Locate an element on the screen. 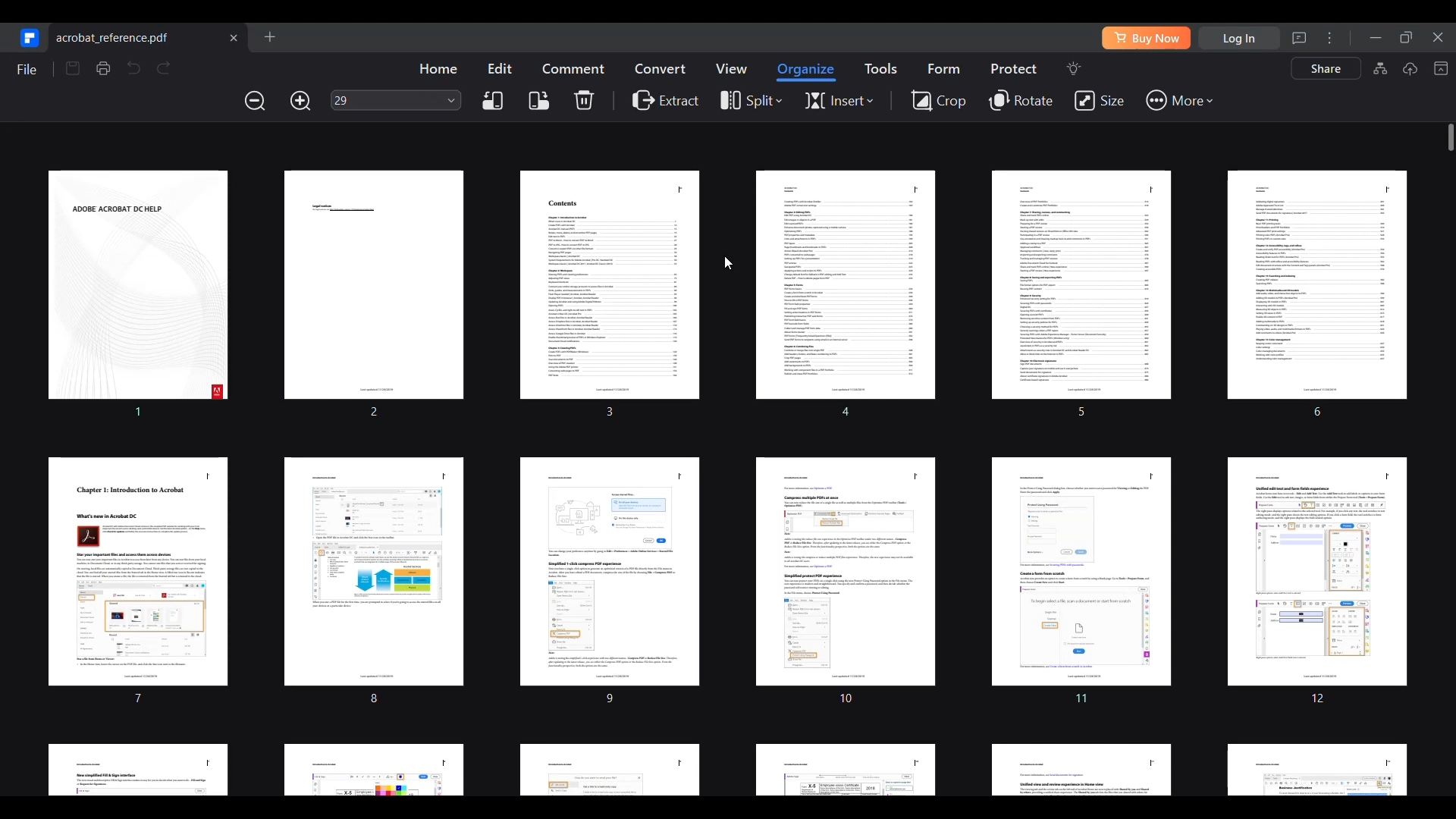 The height and width of the screenshot is (819, 1456). Organize highlighted/Current menu is located at coordinates (807, 72).